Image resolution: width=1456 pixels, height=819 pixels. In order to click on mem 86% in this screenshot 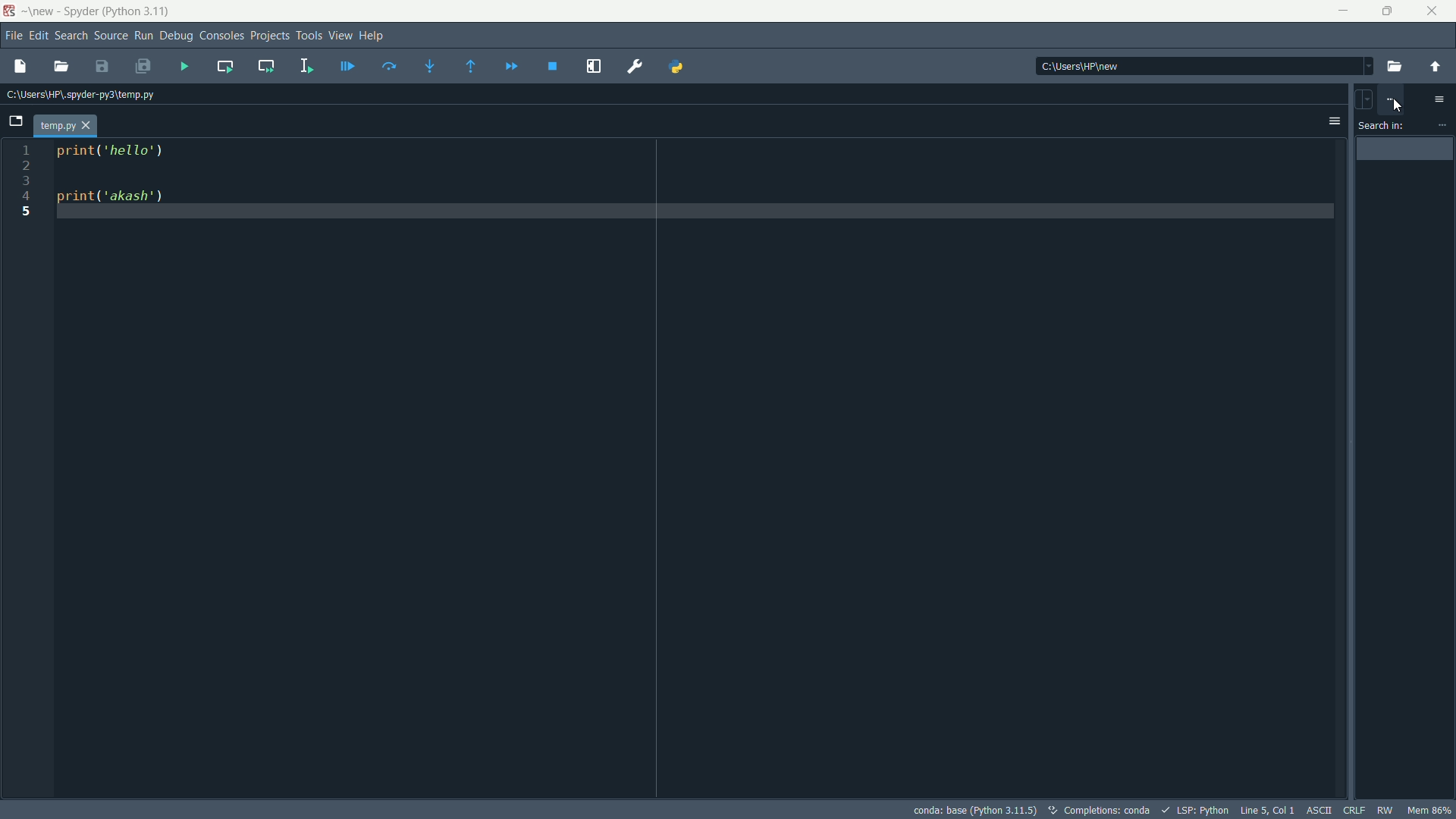, I will do `click(1429, 810)`.